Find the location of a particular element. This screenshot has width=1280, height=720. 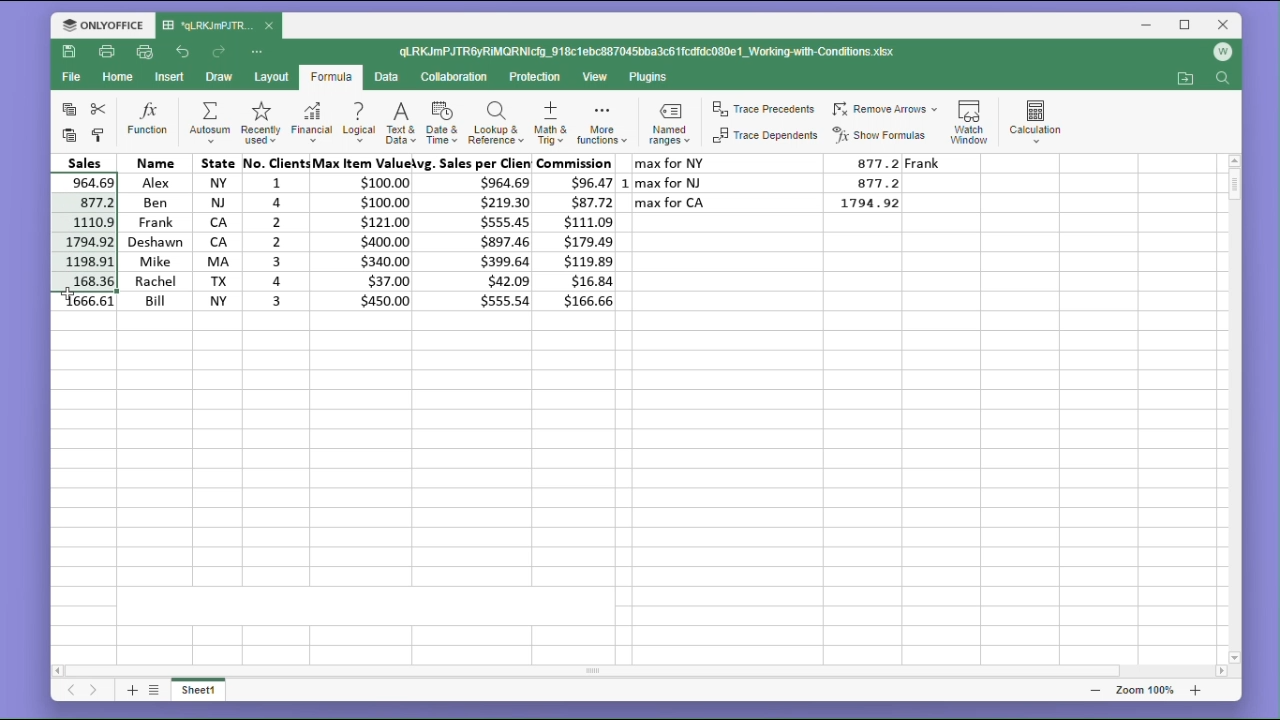

quick print is located at coordinates (146, 53).